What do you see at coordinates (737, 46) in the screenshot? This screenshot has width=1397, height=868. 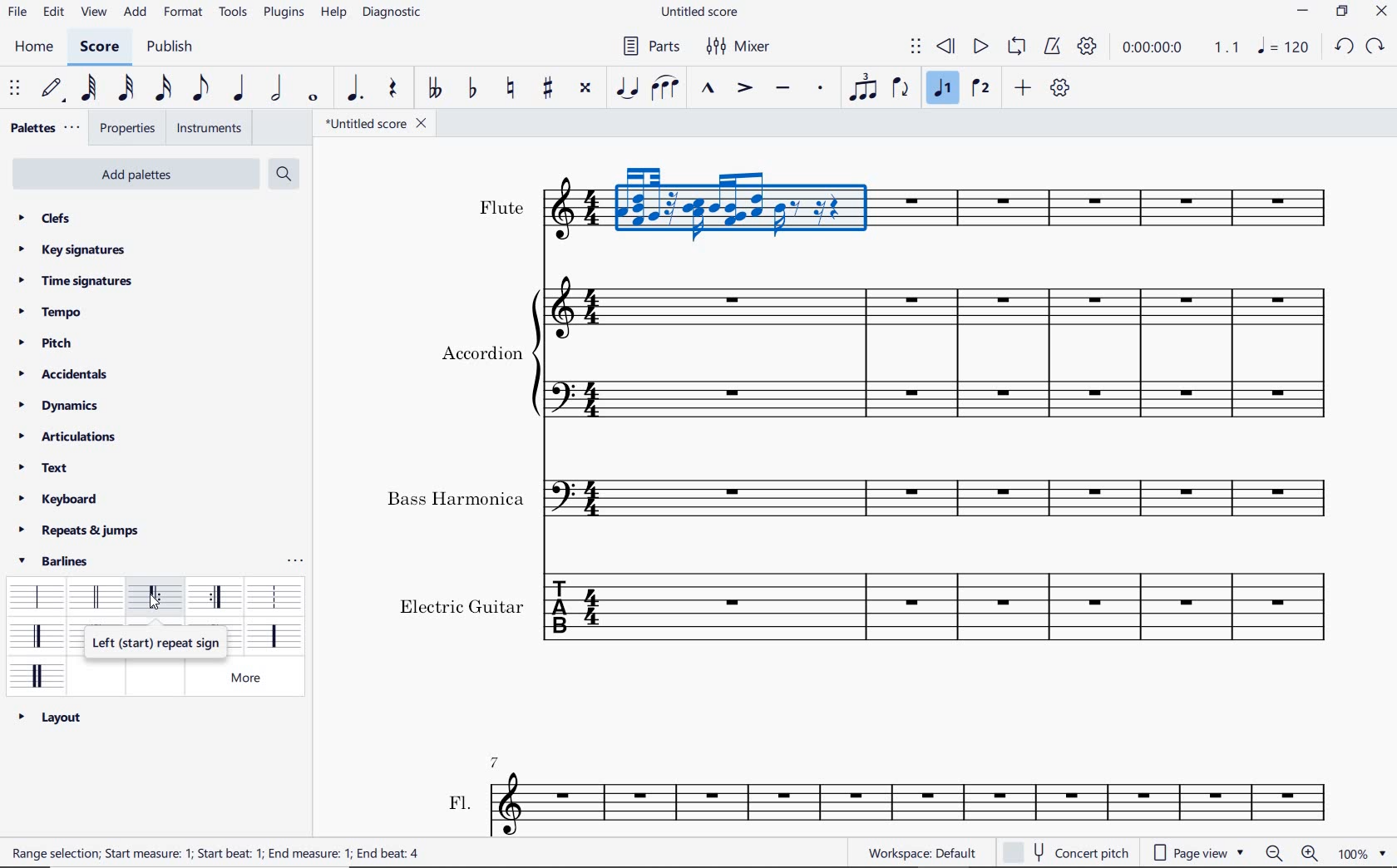 I see `MIXER` at bounding box center [737, 46].